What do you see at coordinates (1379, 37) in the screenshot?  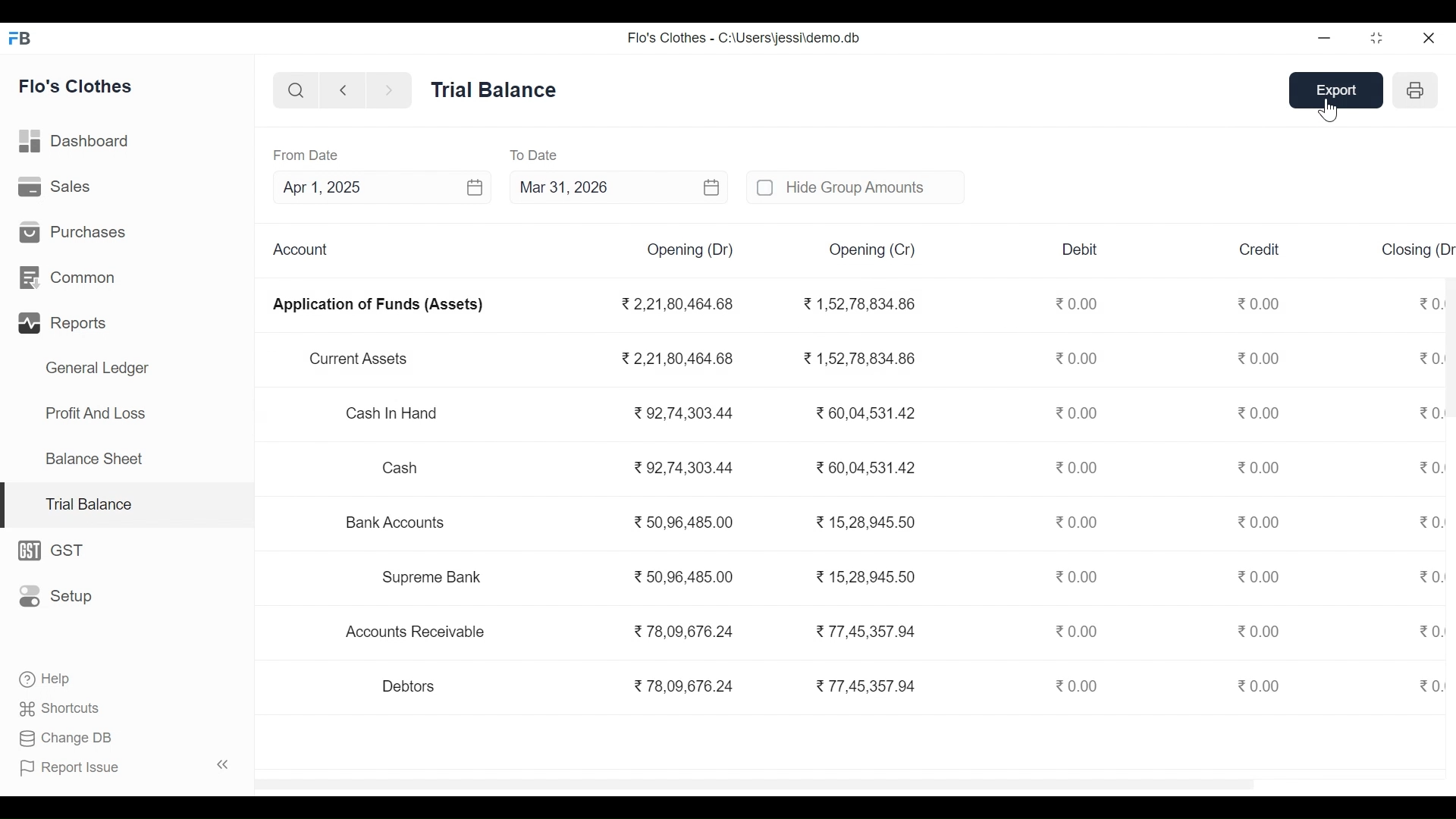 I see `Restore` at bounding box center [1379, 37].